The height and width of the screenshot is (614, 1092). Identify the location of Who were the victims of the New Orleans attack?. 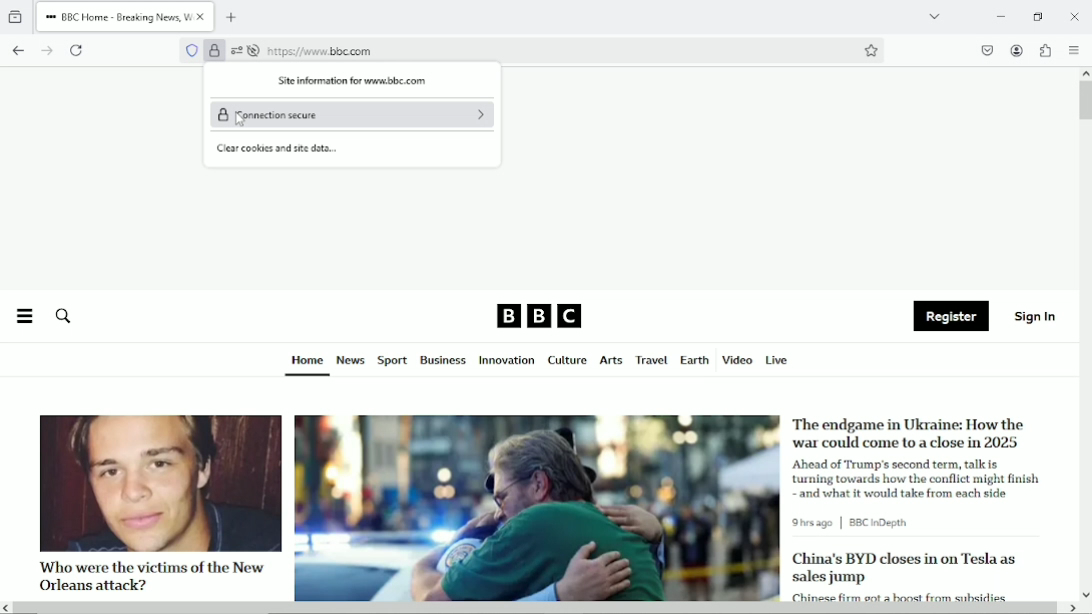
(149, 575).